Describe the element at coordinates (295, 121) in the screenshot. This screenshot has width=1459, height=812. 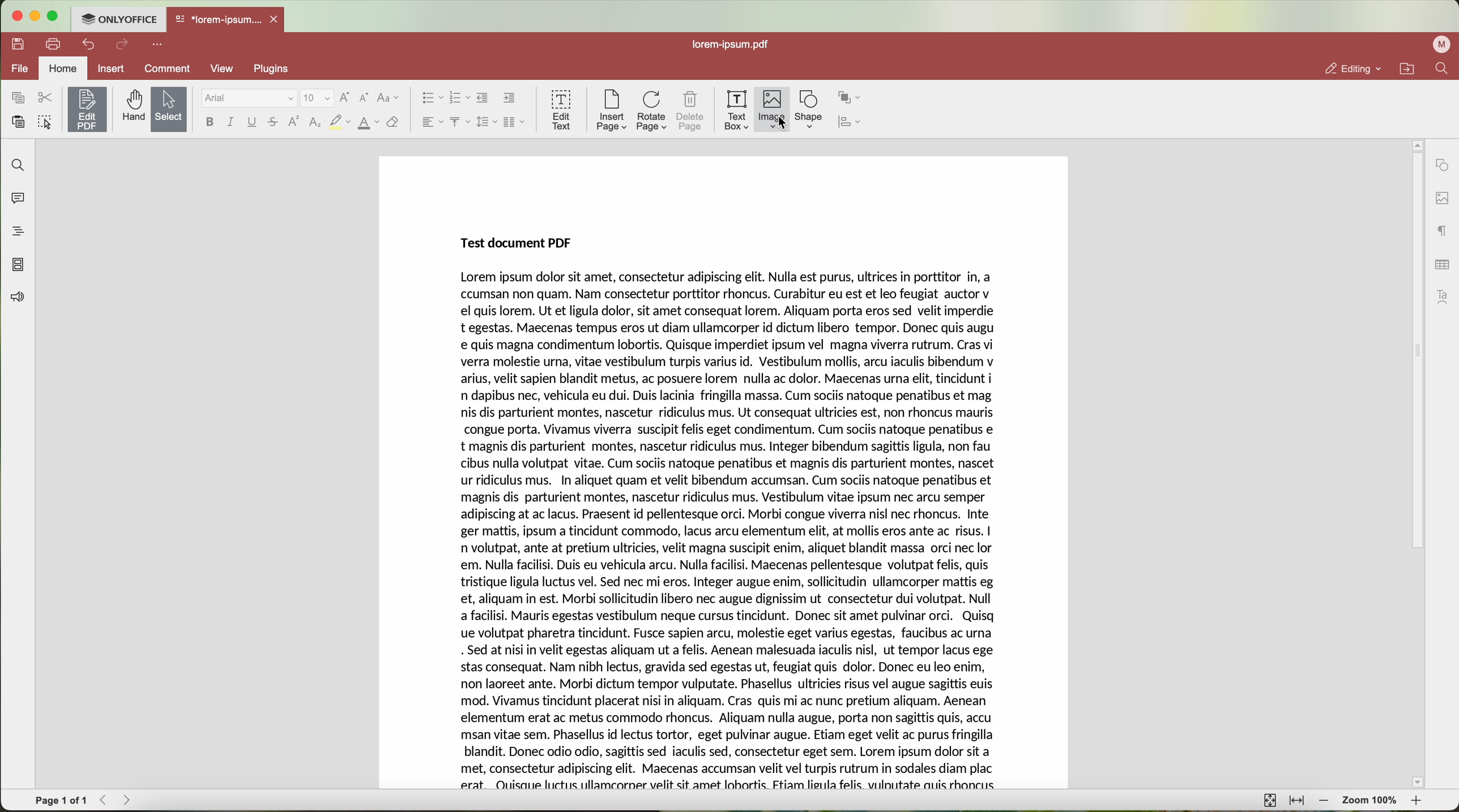
I see `superscript` at that location.